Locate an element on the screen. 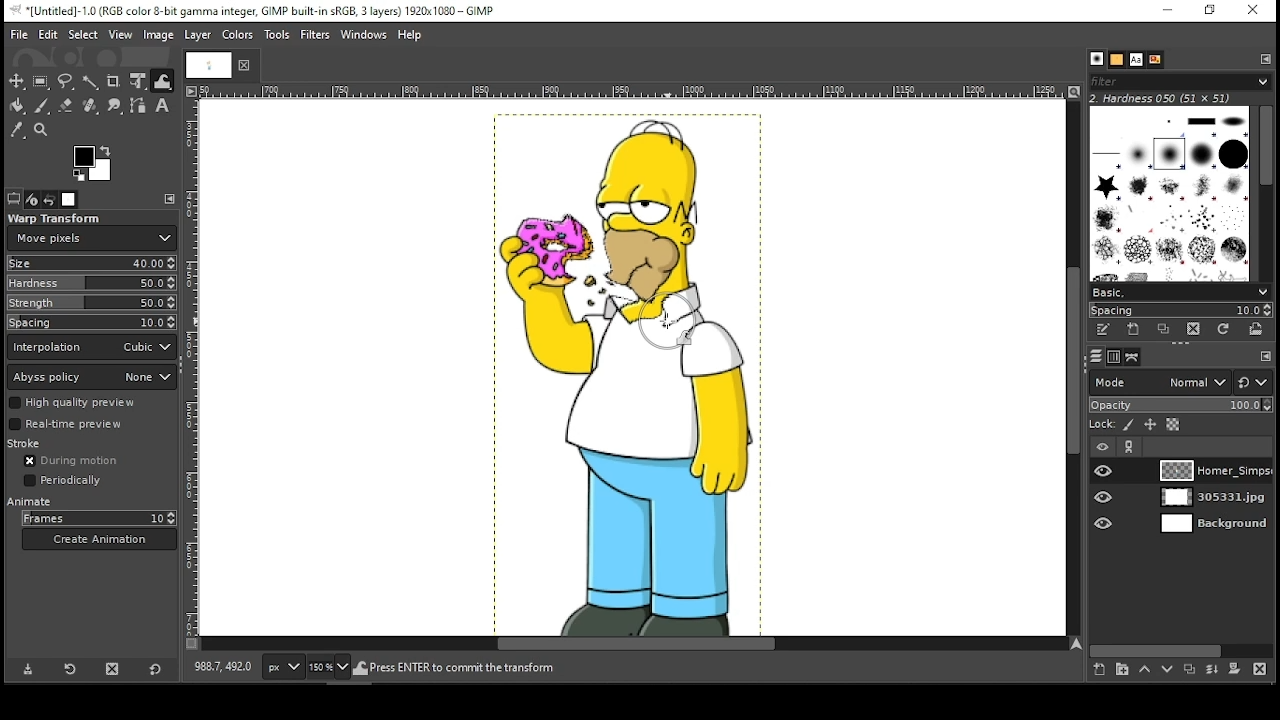  warp transform is located at coordinates (56, 218).